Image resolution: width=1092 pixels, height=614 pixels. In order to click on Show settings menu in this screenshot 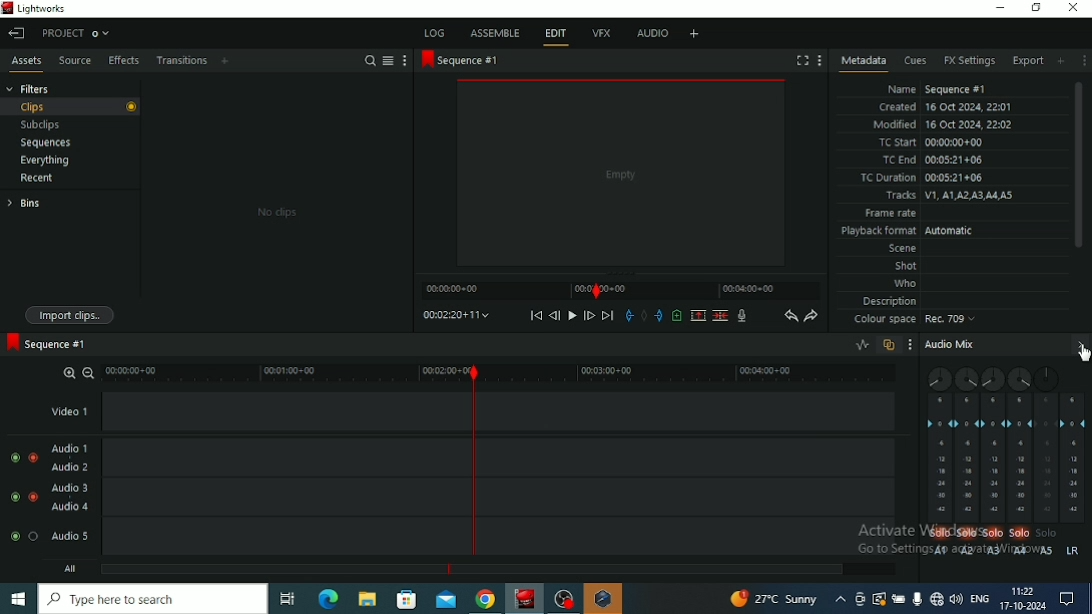, I will do `click(403, 61)`.